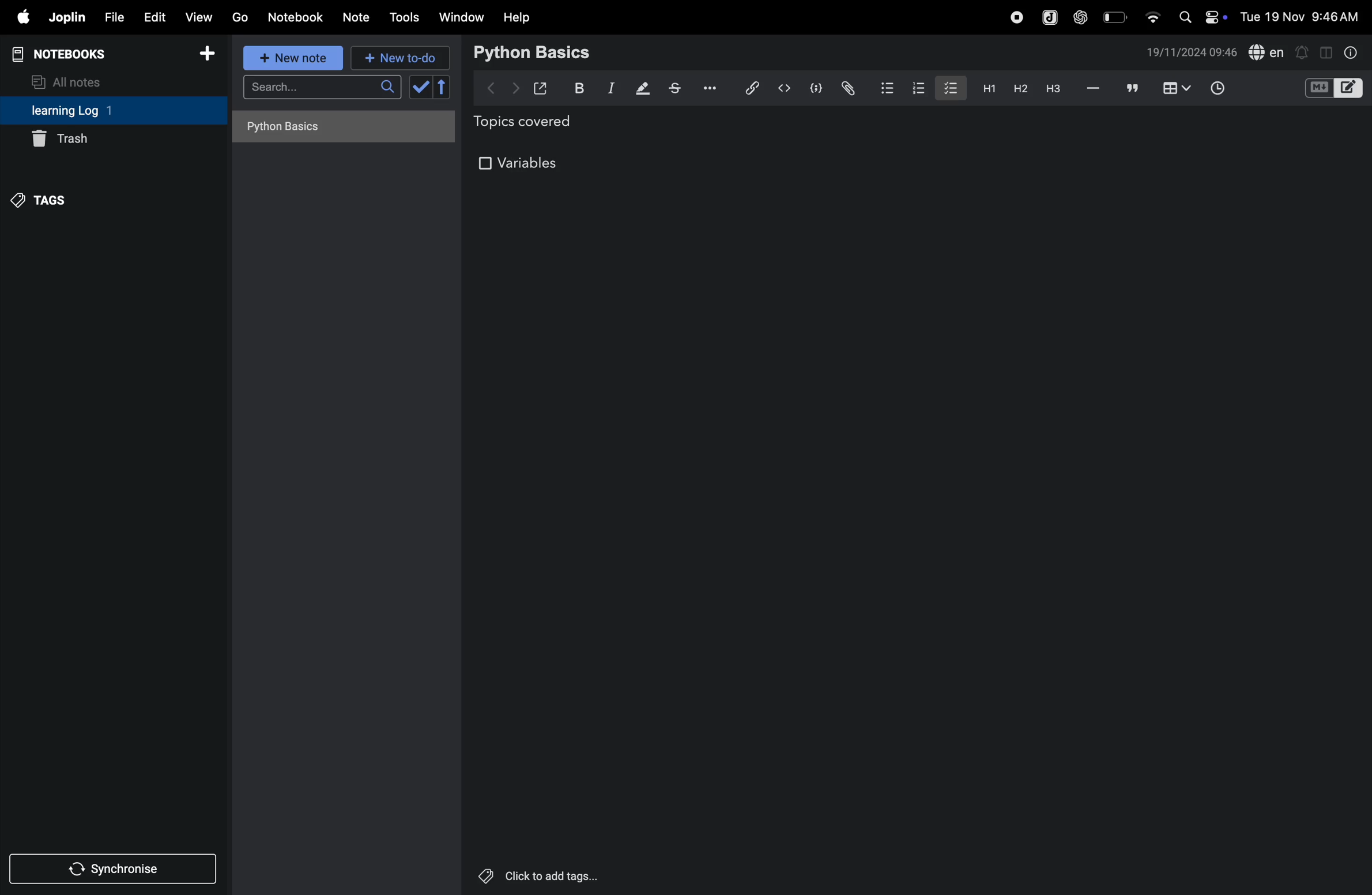 The image size is (1372, 895). What do you see at coordinates (1020, 88) in the screenshot?
I see `heading 2` at bounding box center [1020, 88].